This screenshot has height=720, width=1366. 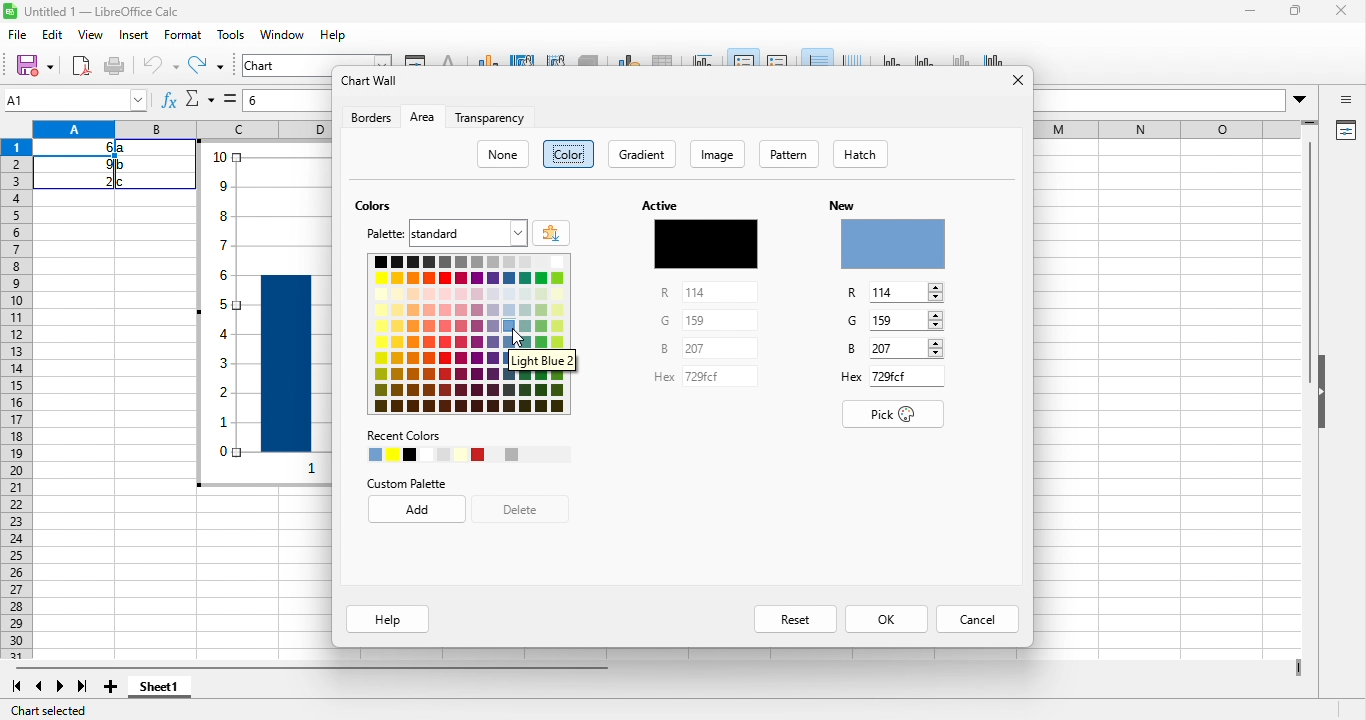 I want to click on print, so click(x=115, y=66).